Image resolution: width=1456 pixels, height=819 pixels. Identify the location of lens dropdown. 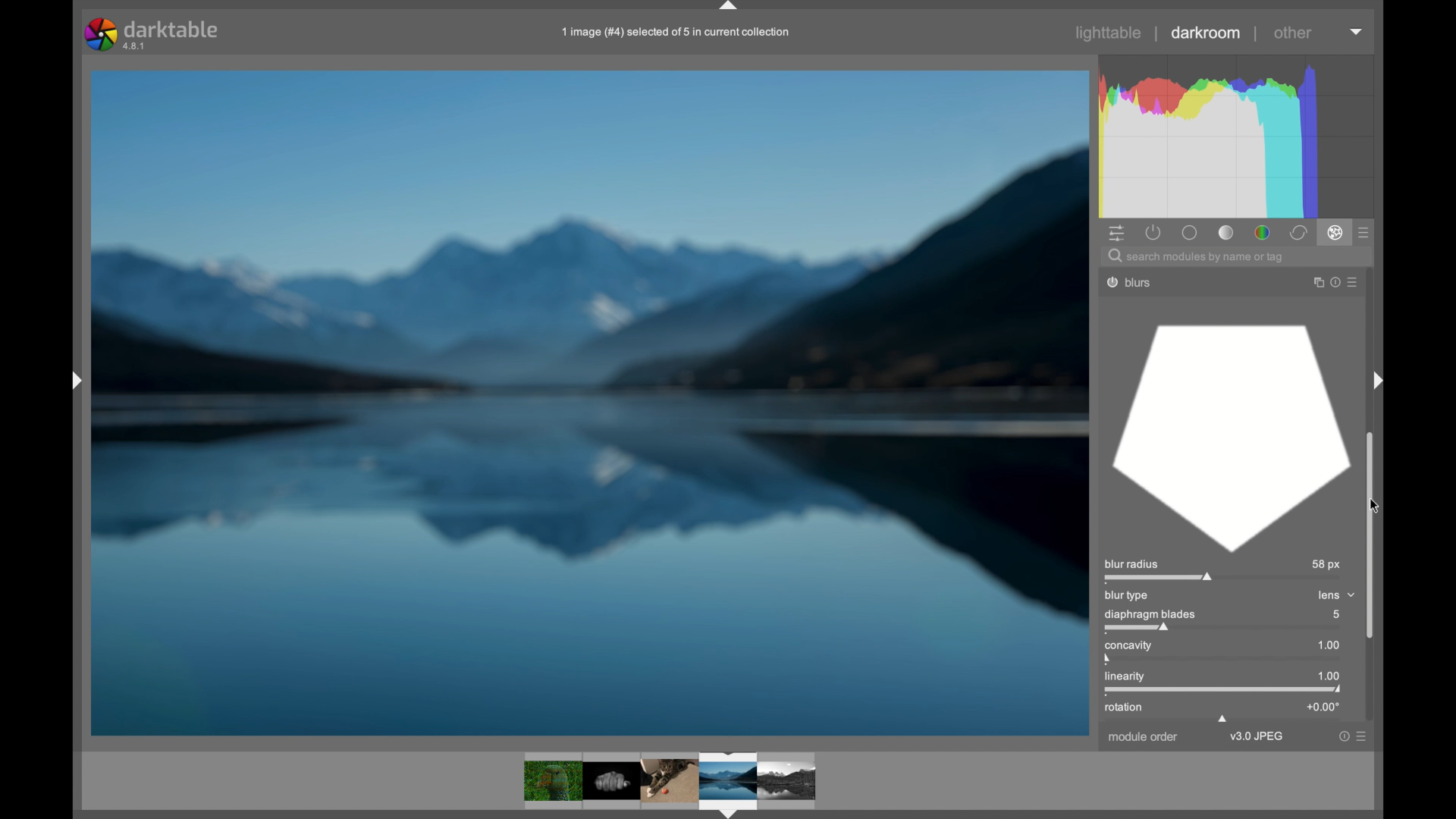
(1336, 595).